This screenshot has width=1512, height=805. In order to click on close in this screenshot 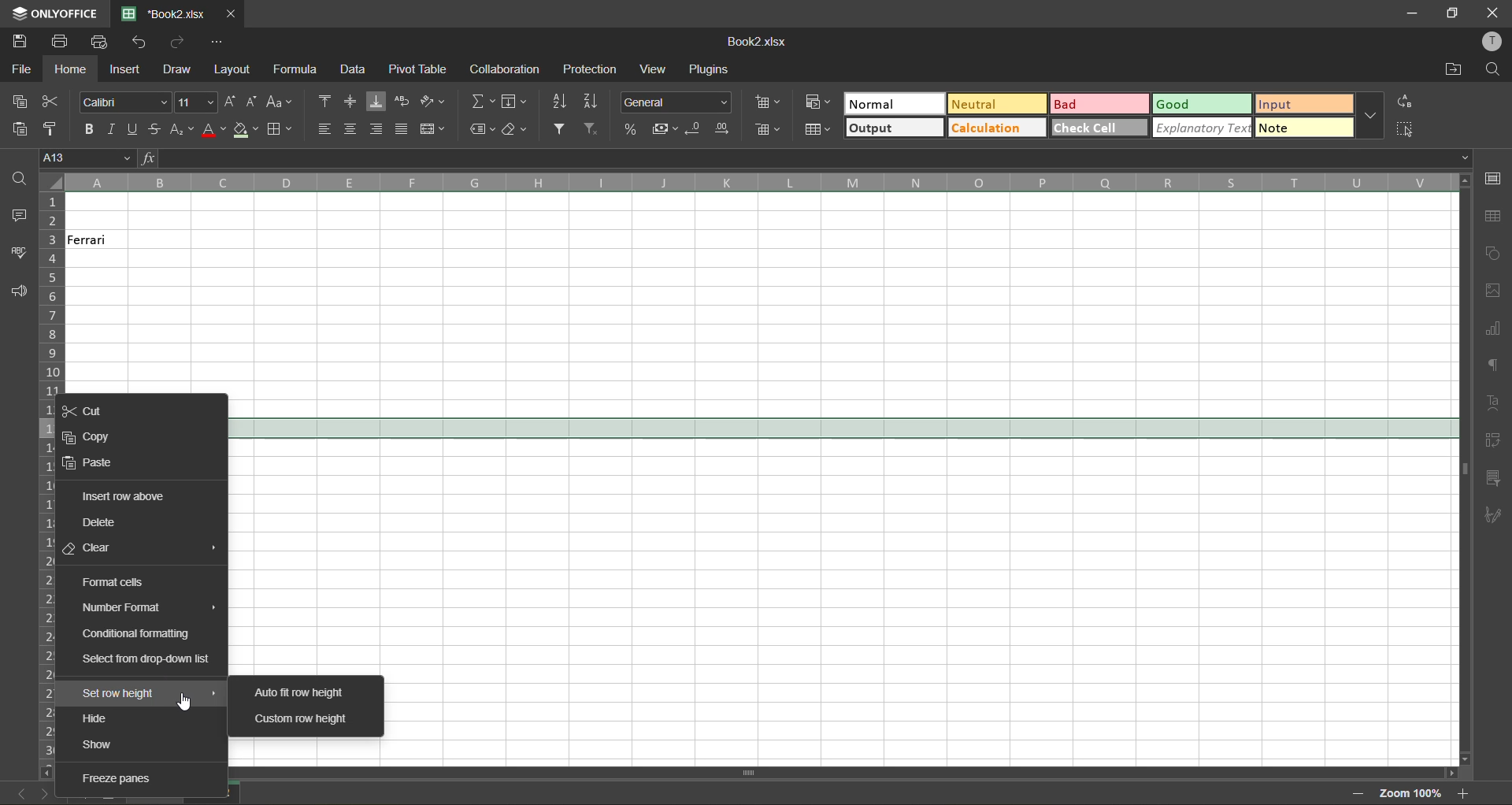, I will do `click(1494, 11)`.